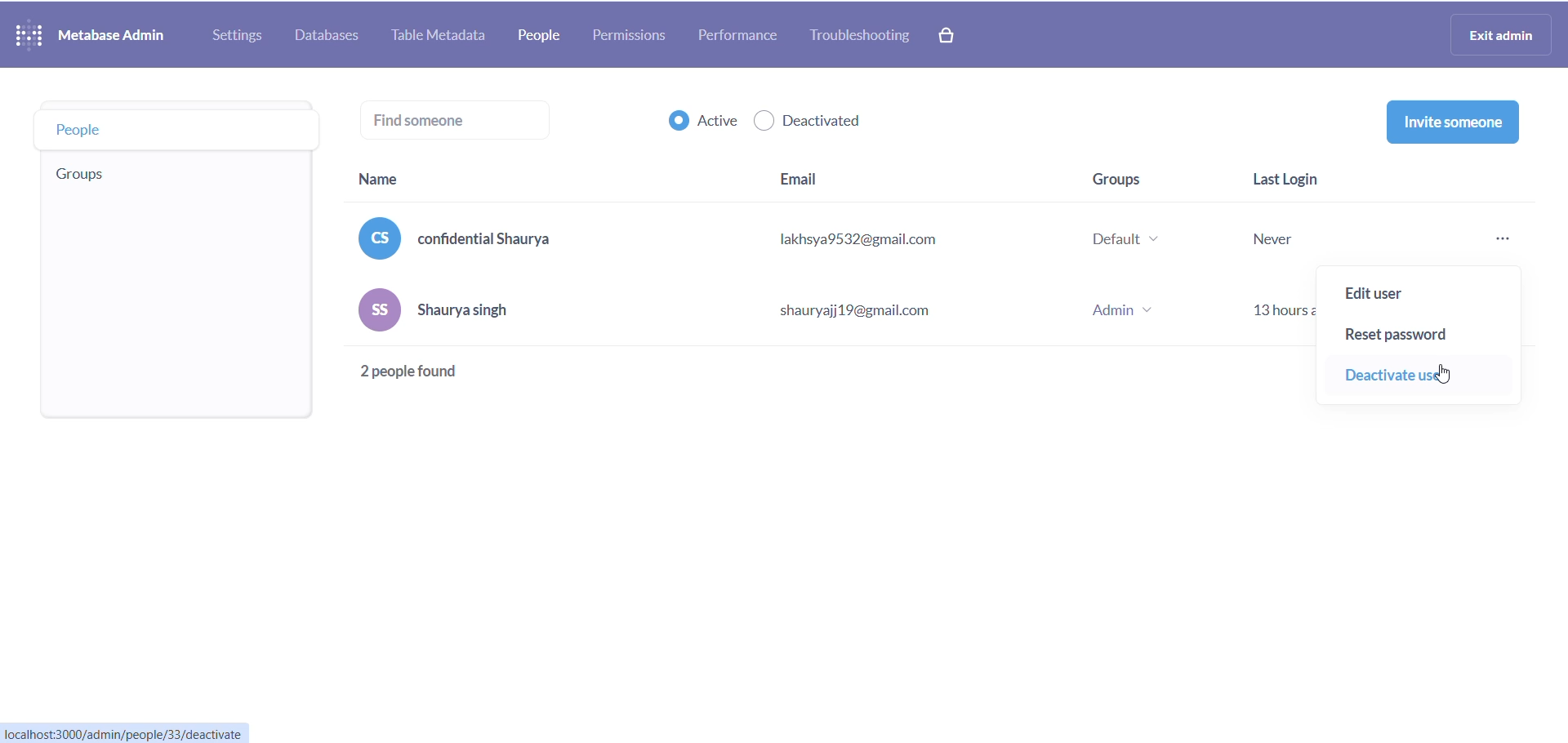 The image size is (1568, 743). Describe the element at coordinates (864, 35) in the screenshot. I see `troubleshooting` at that location.